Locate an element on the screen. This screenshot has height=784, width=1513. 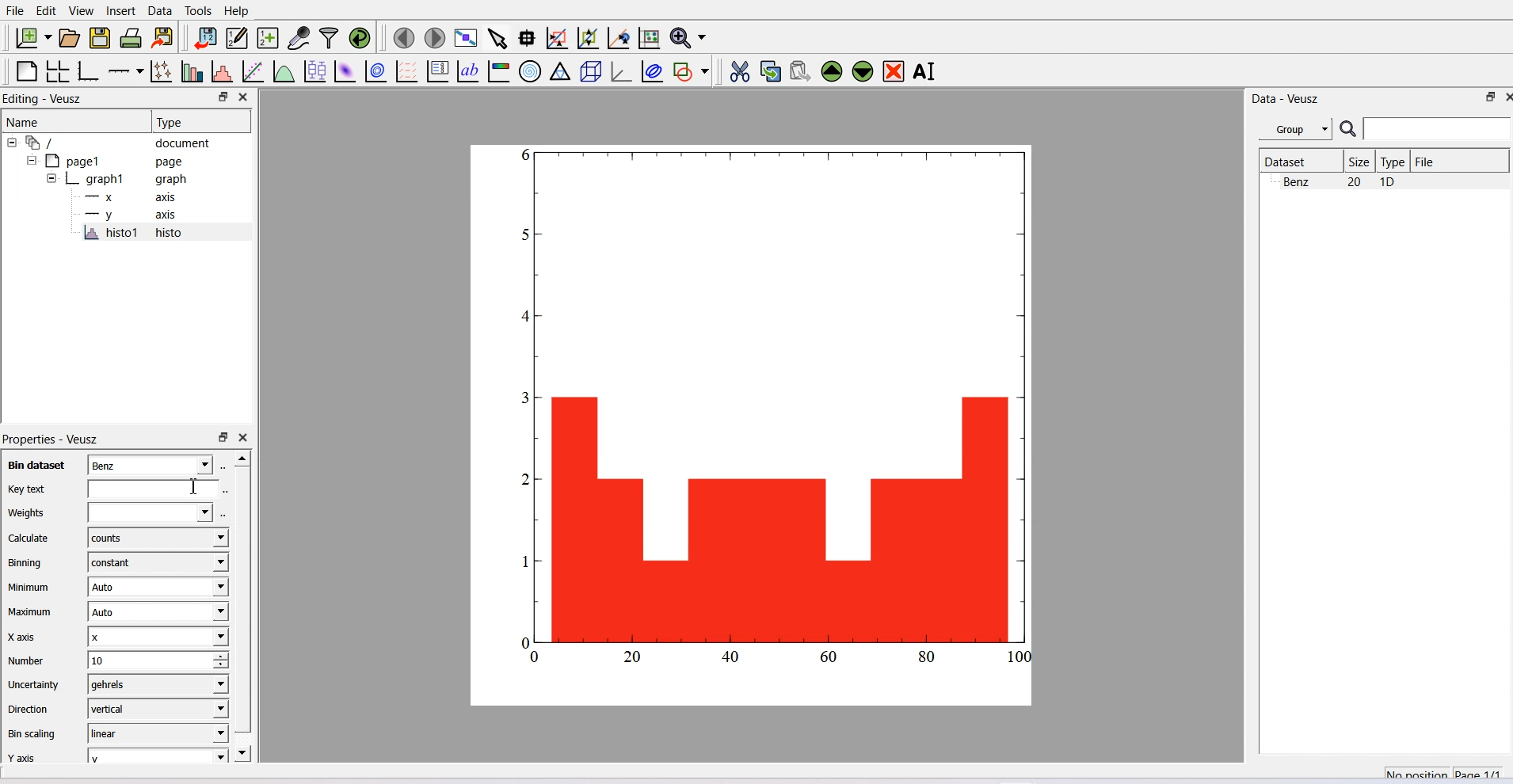
Y axis - Y is located at coordinates (115, 754).